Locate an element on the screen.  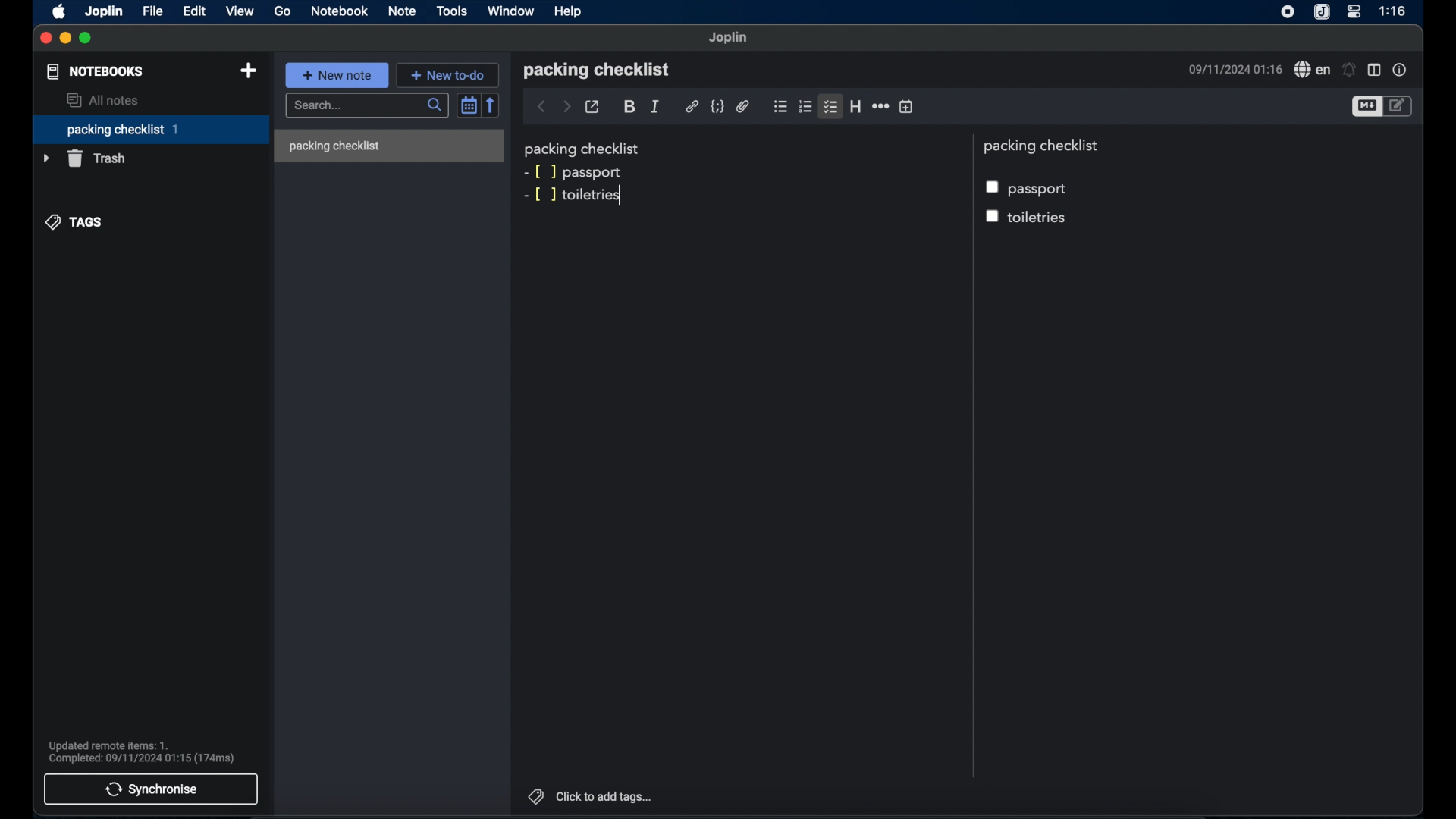
09/11/2024 01:16 is located at coordinates (1232, 70).